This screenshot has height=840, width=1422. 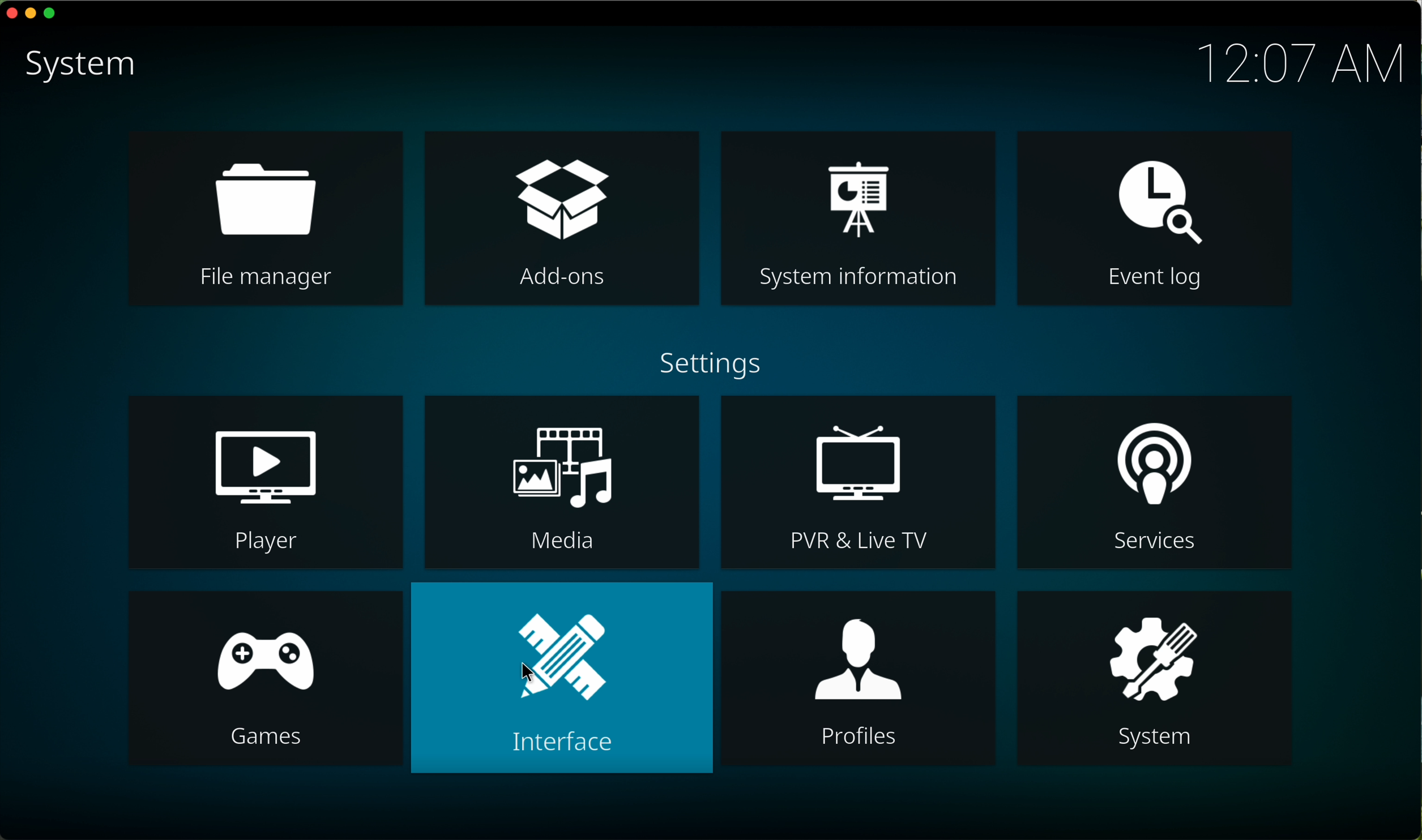 I want to click on player, so click(x=267, y=483).